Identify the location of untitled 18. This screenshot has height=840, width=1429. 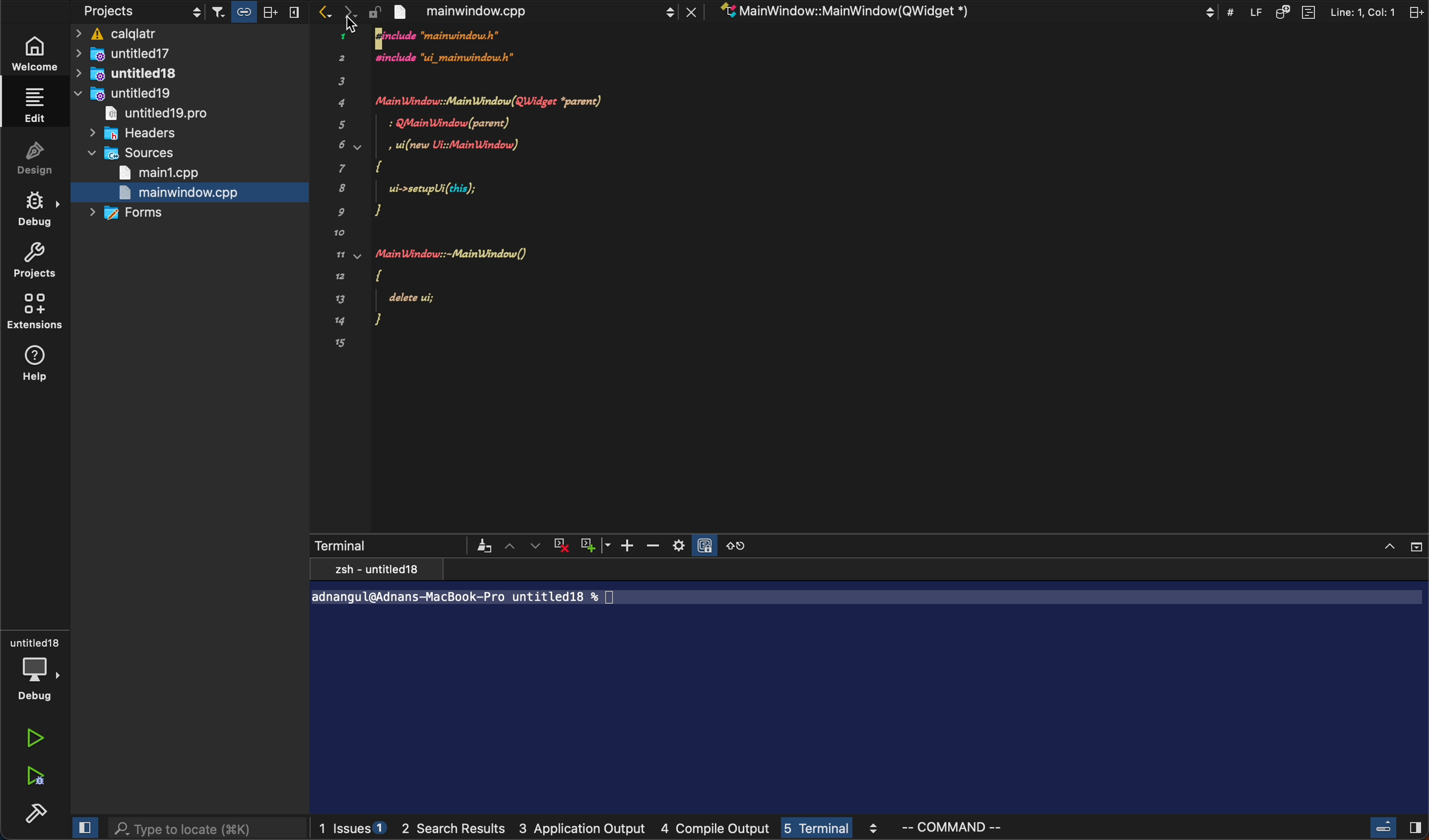
(135, 74).